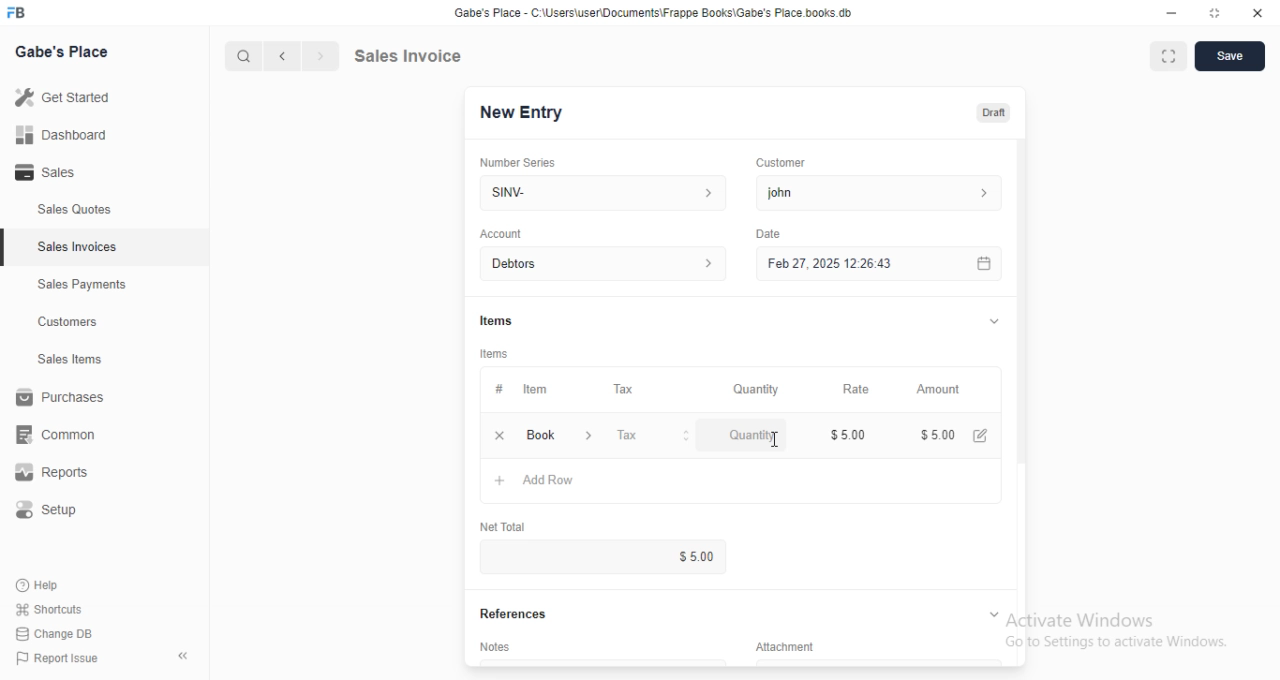 The height and width of the screenshot is (680, 1280). I want to click on collapse, so click(181, 653).